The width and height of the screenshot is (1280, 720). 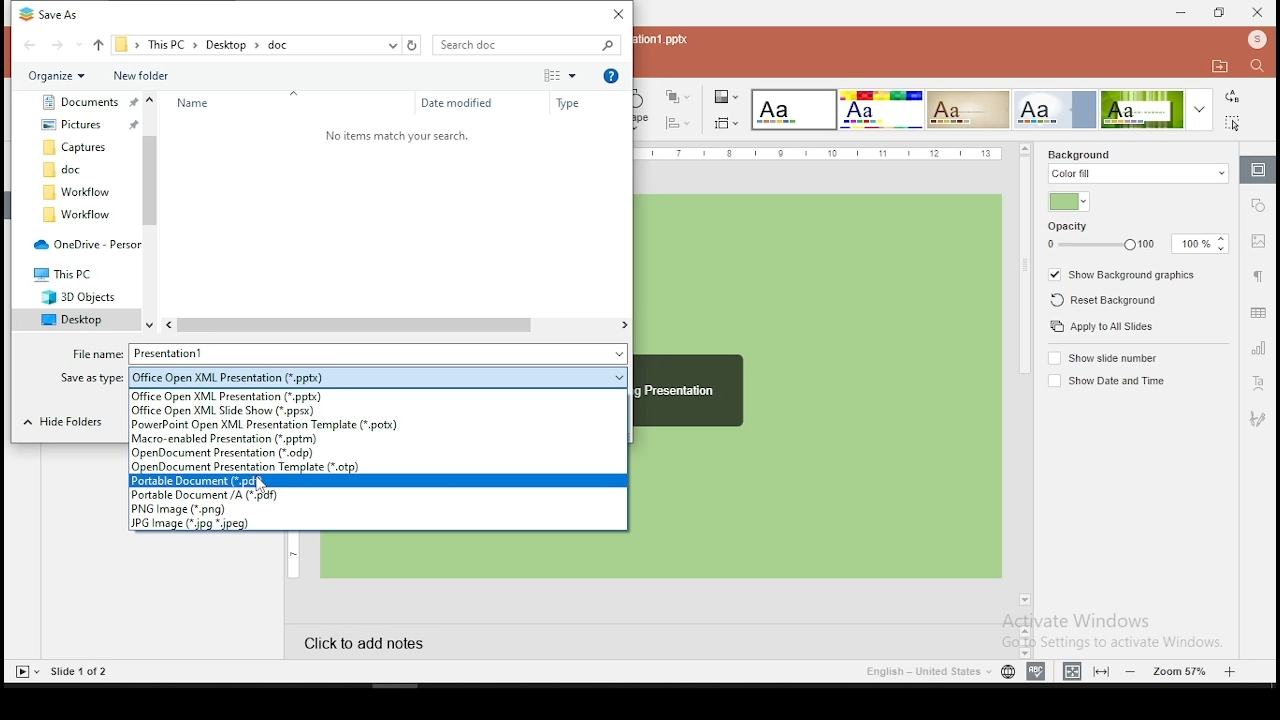 I want to click on opacity input, so click(x=1201, y=245).